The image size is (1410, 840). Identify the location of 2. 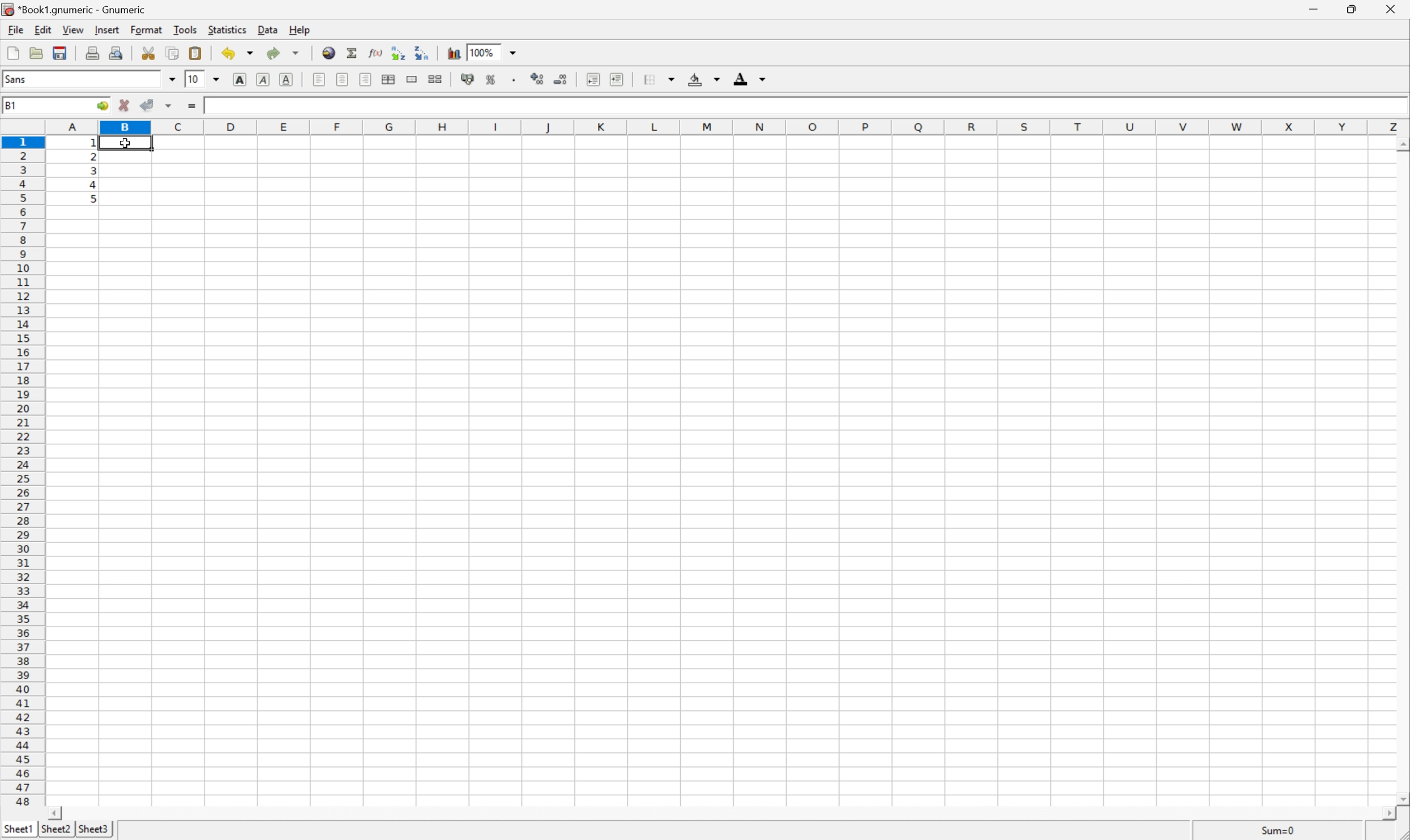
(93, 155).